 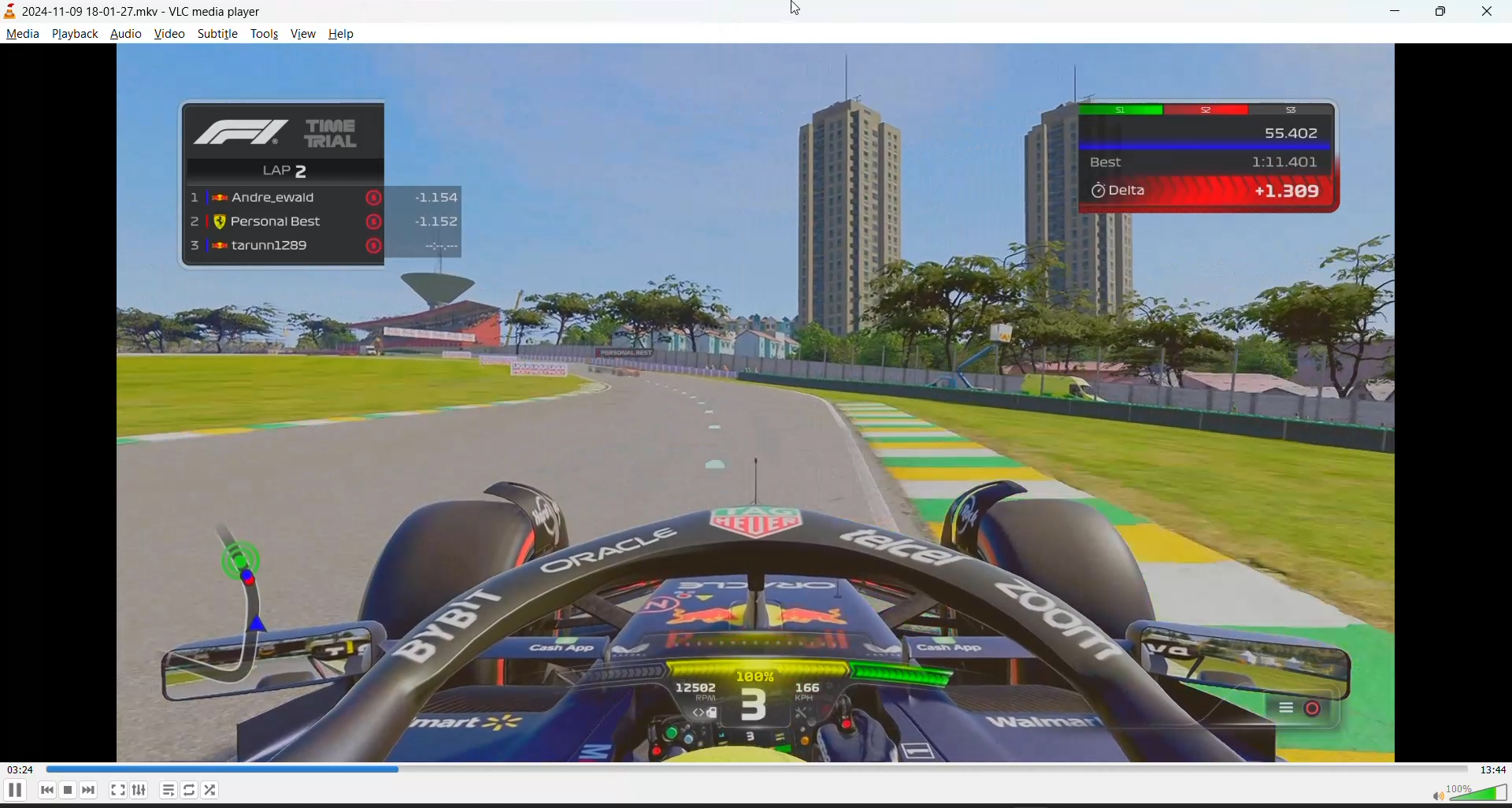 I want to click on audio, so click(x=123, y=32).